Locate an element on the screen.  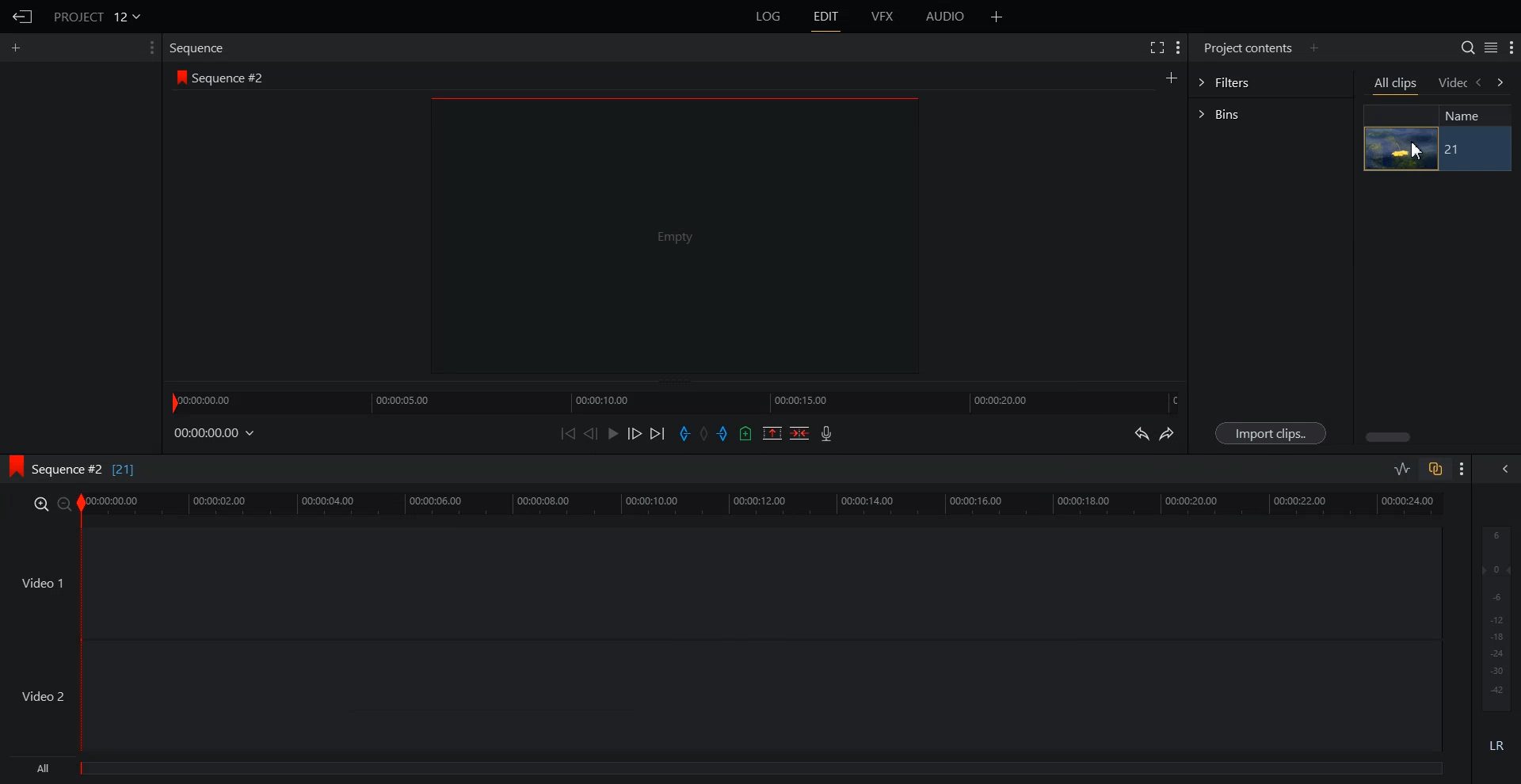
Clear All Marks is located at coordinates (703, 433).